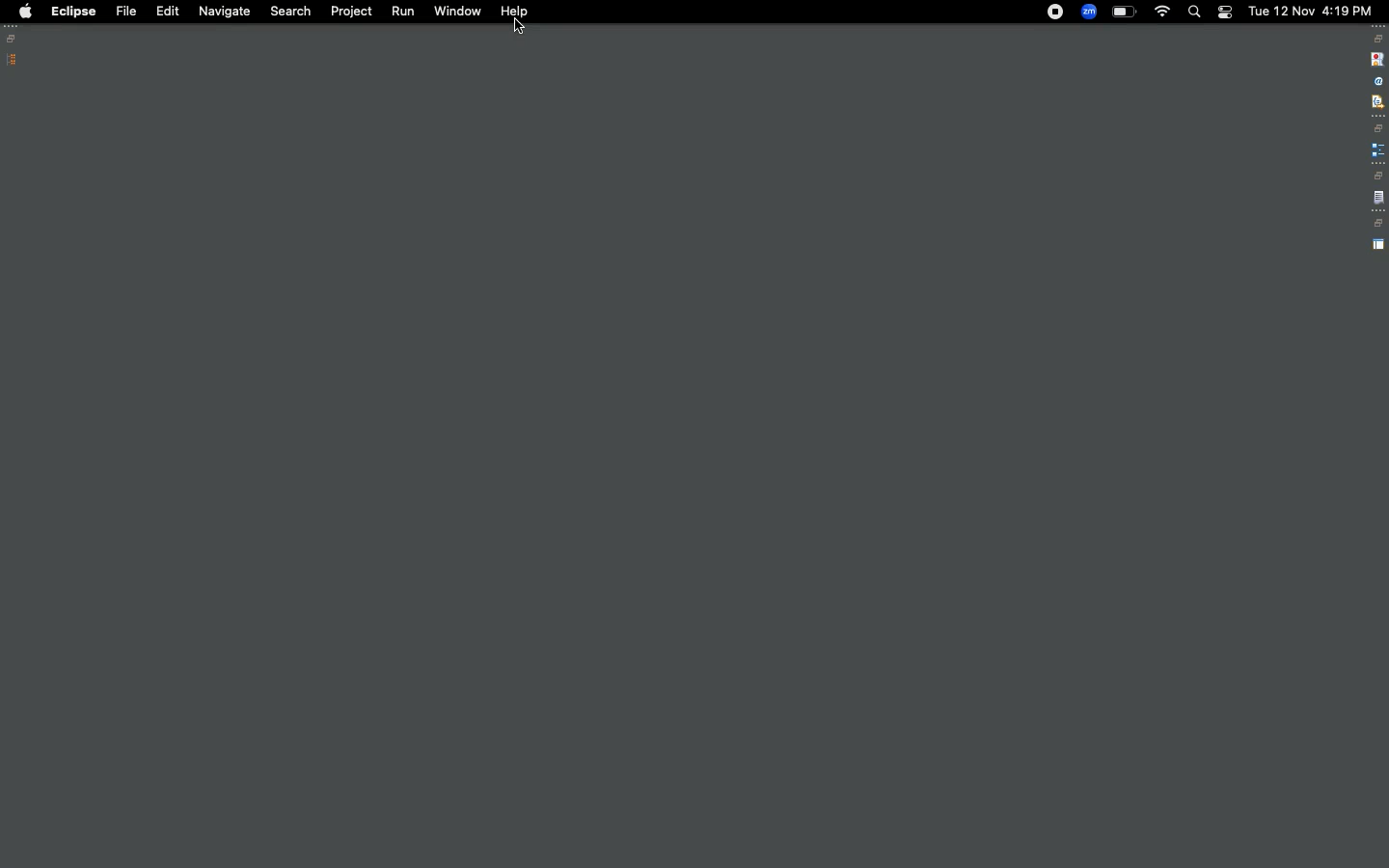  Describe the element at coordinates (222, 13) in the screenshot. I see `Navigate` at that location.